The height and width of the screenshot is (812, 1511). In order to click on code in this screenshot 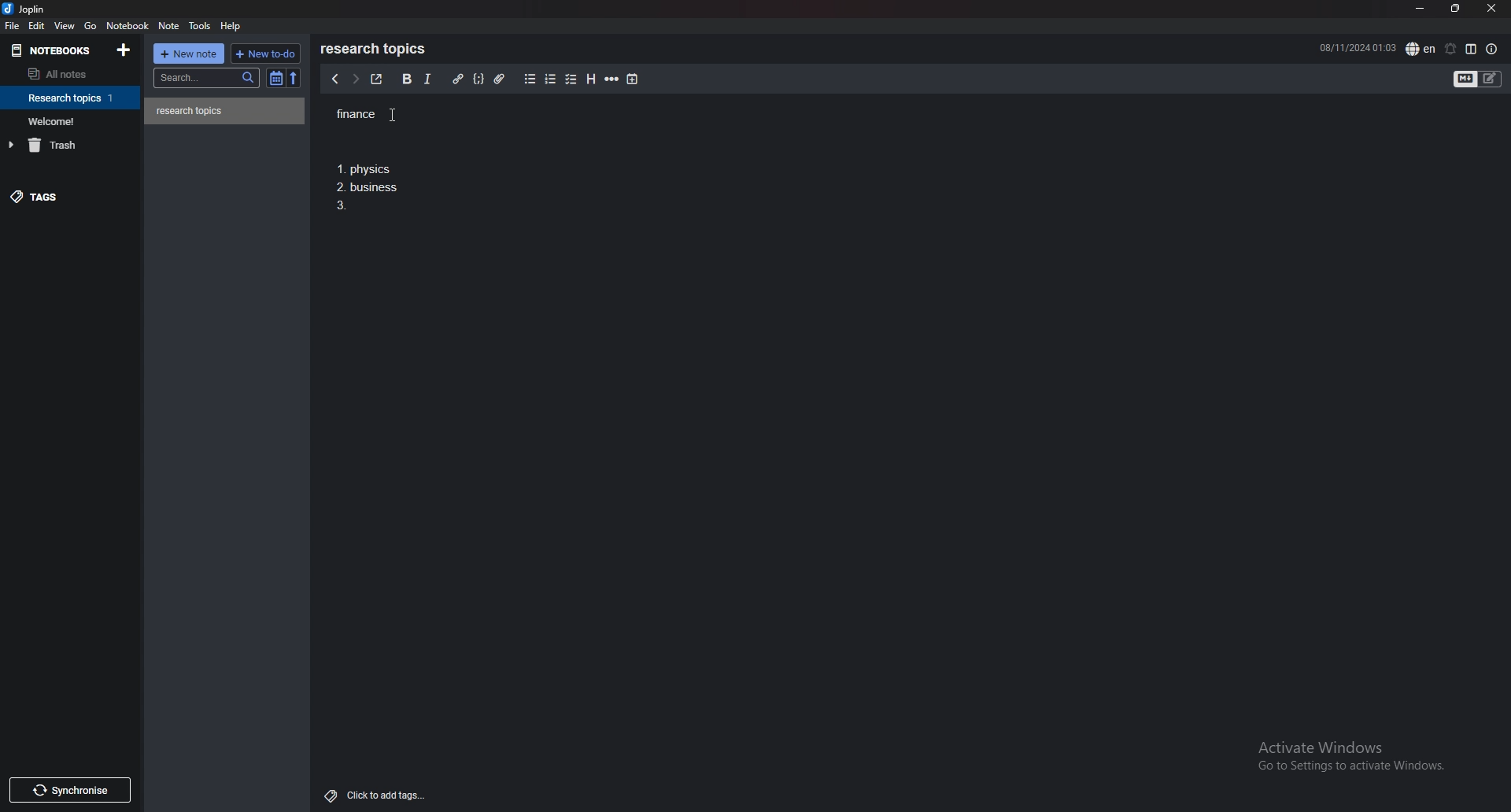, I will do `click(479, 78)`.